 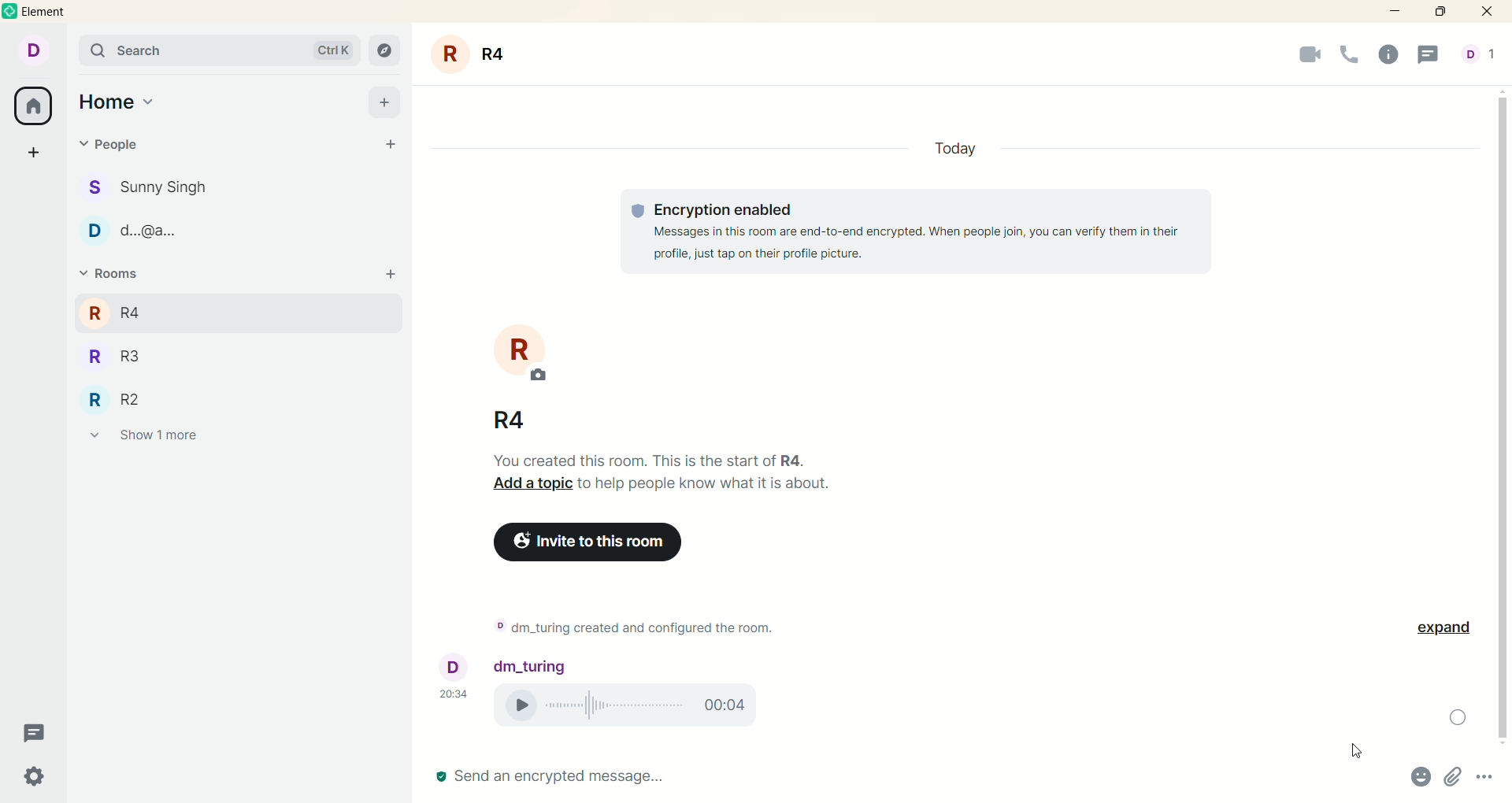 I want to click on R4, so click(x=136, y=310).